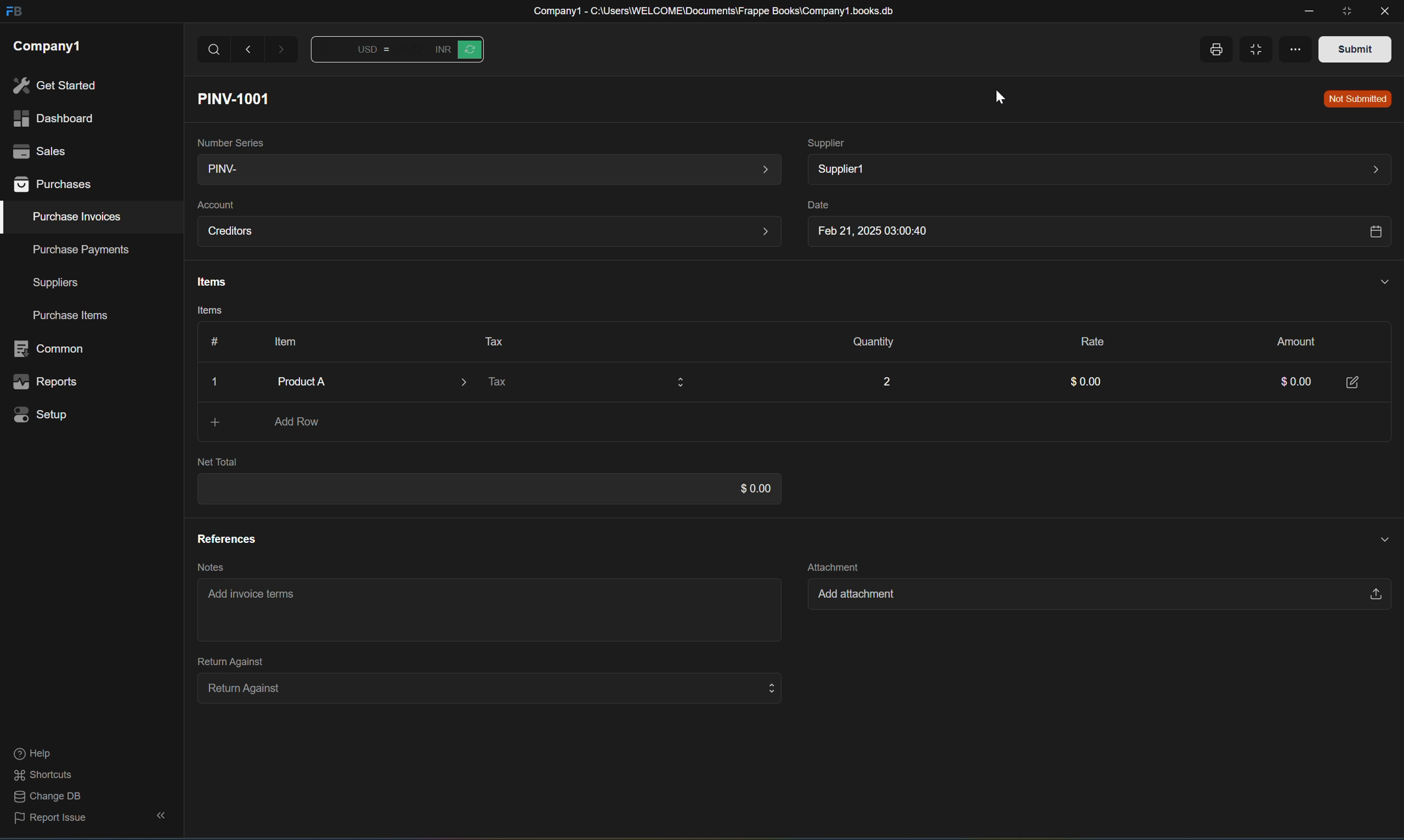 The image size is (1404, 840). What do you see at coordinates (46, 383) in the screenshot?
I see `reports` at bounding box center [46, 383].